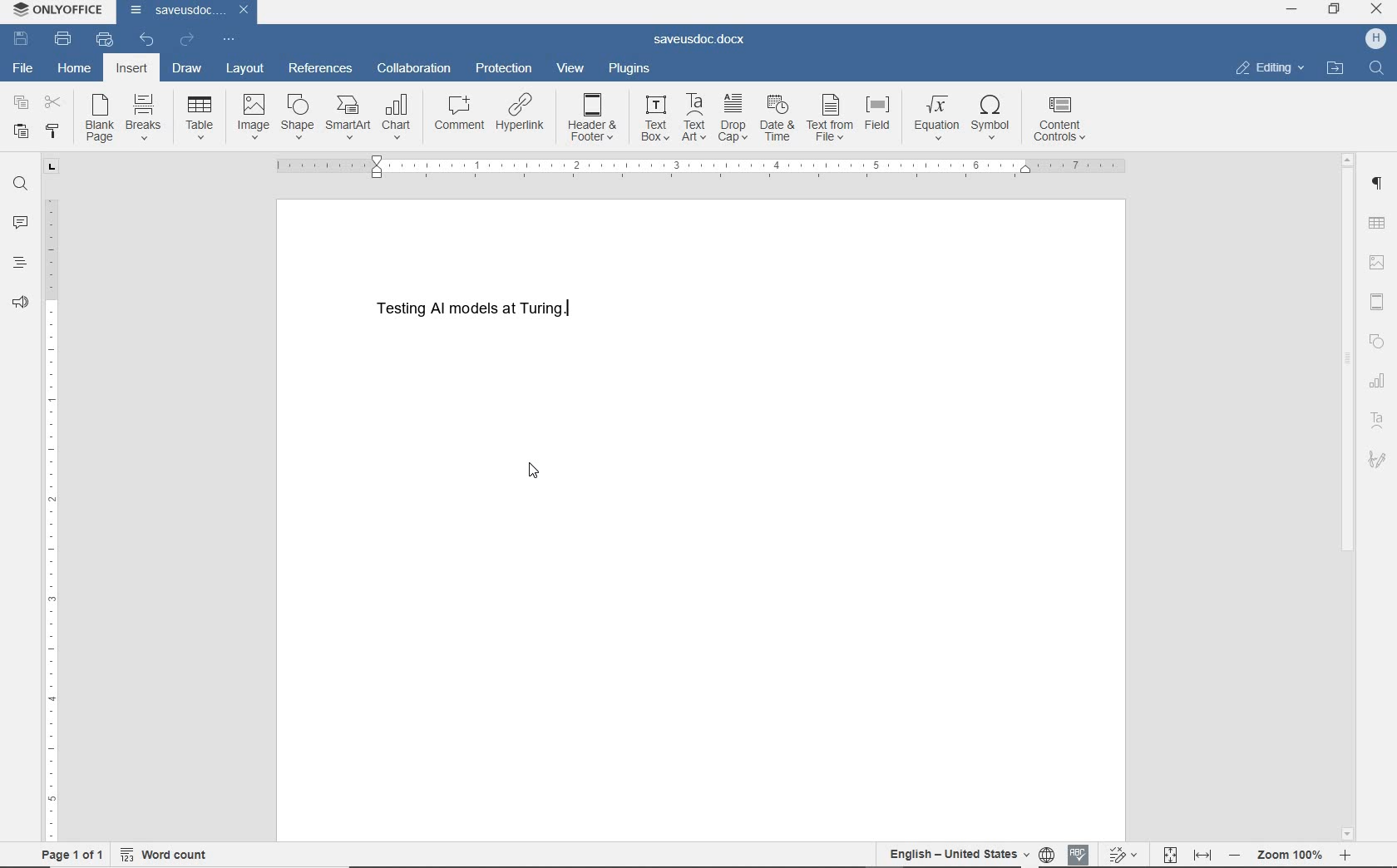 Image resolution: width=1397 pixels, height=868 pixels. What do you see at coordinates (51, 495) in the screenshot?
I see `ruler` at bounding box center [51, 495].